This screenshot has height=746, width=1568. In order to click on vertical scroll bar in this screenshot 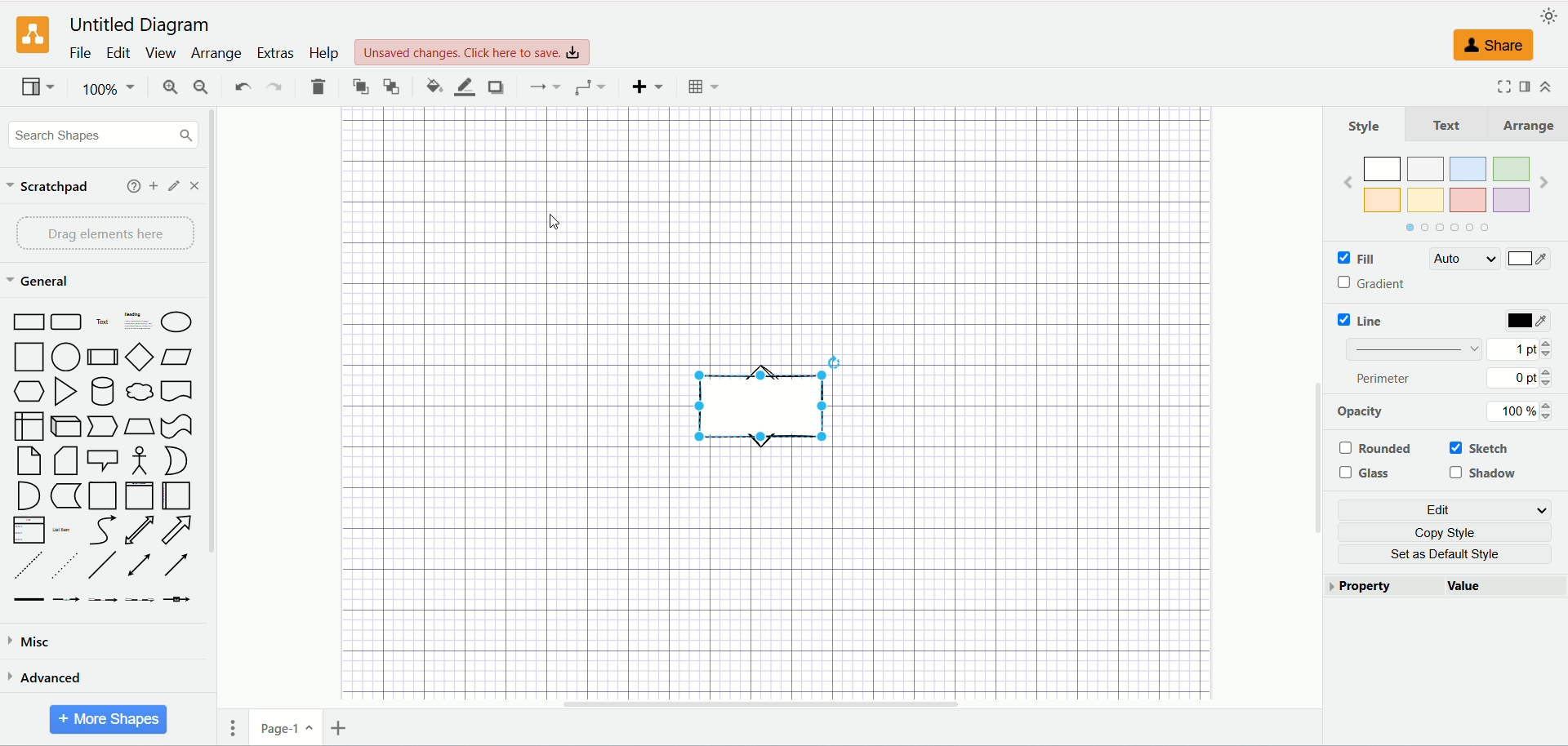, I will do `click(1306, 403)`.